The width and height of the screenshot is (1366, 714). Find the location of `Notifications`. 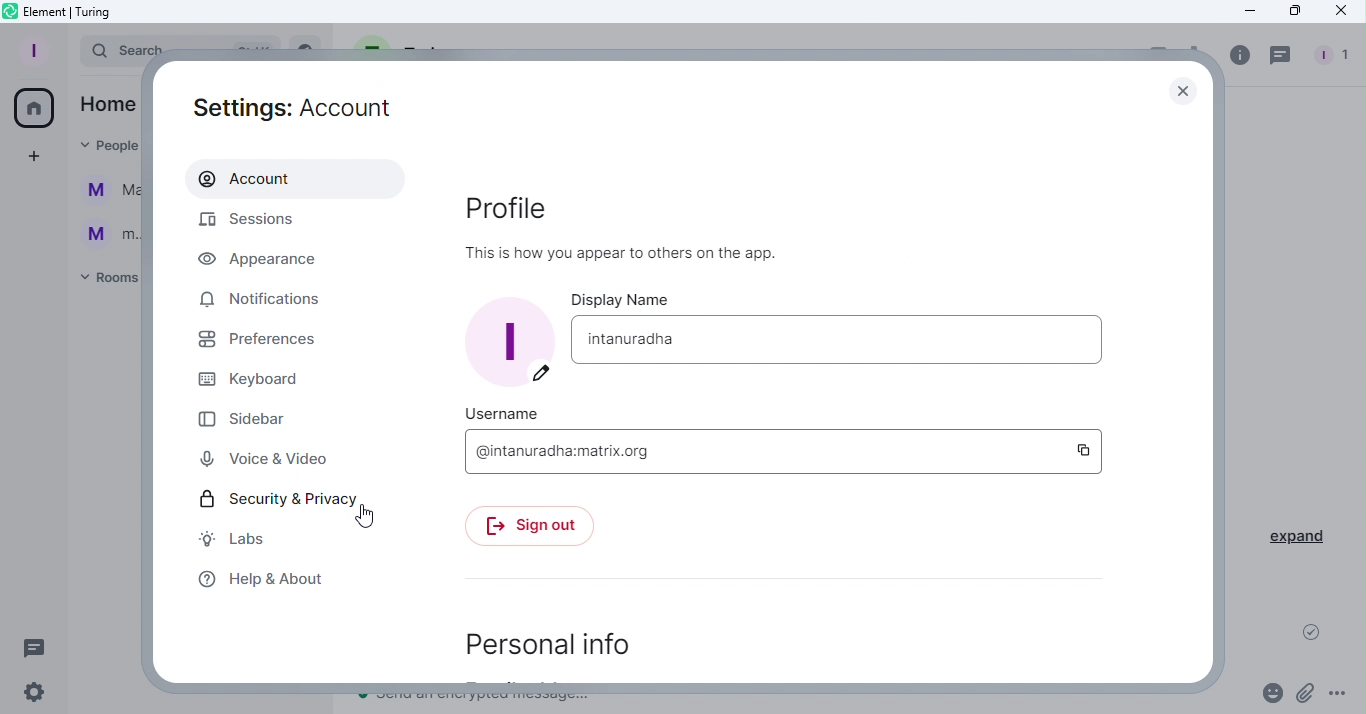

Notifications is located at coordinates (262, 301).